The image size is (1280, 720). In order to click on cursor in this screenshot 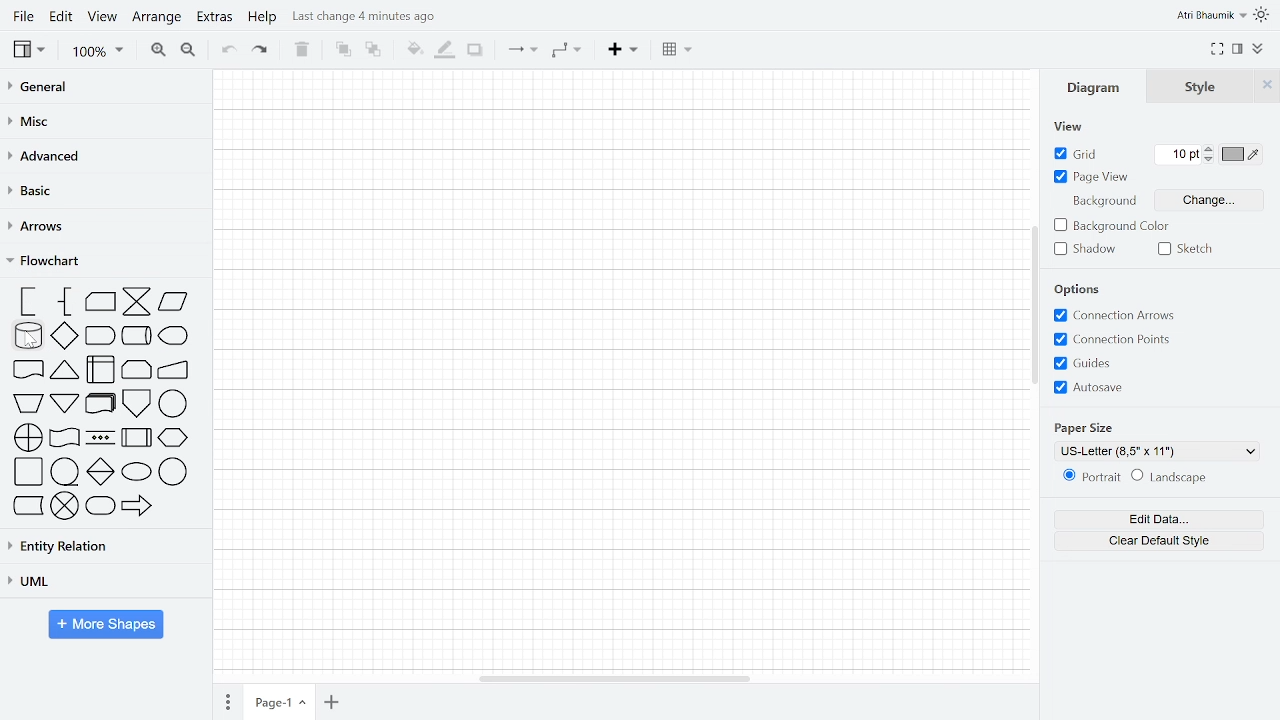, I will do `click(38, 346)`.